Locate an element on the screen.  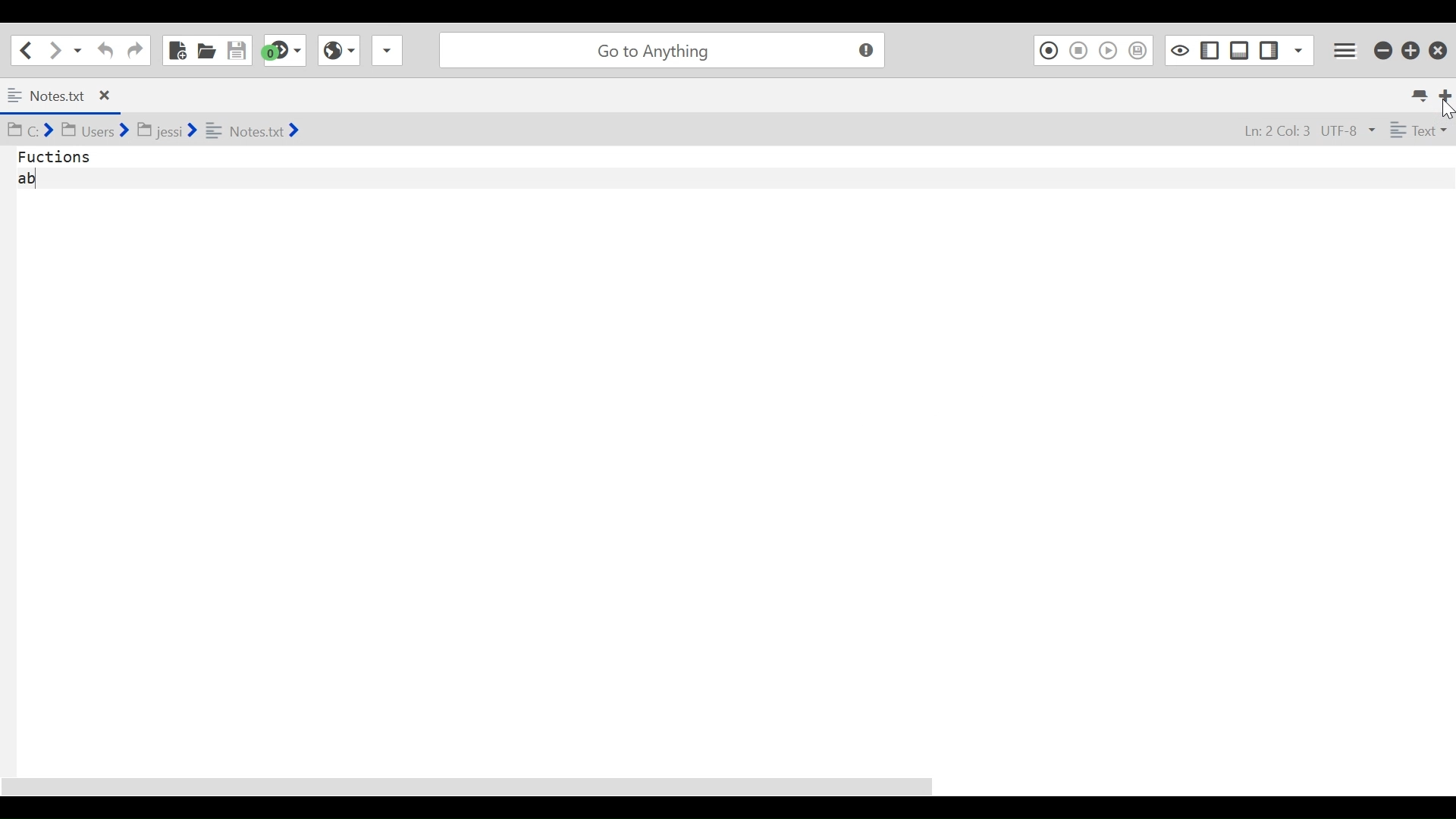
Show/Hide Left Pane is located at coordinates (1212, 49).